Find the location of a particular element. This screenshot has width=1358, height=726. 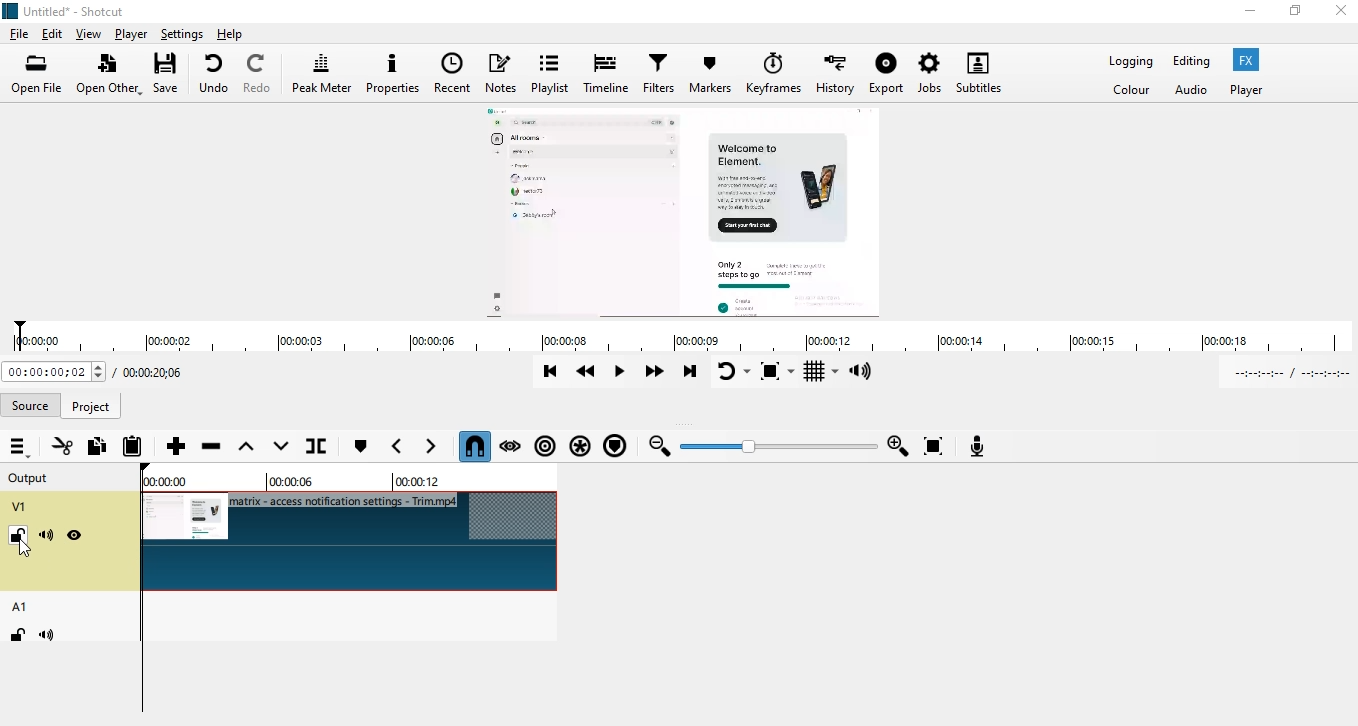

Play quickly backwards is located at coordinates (587, 371).